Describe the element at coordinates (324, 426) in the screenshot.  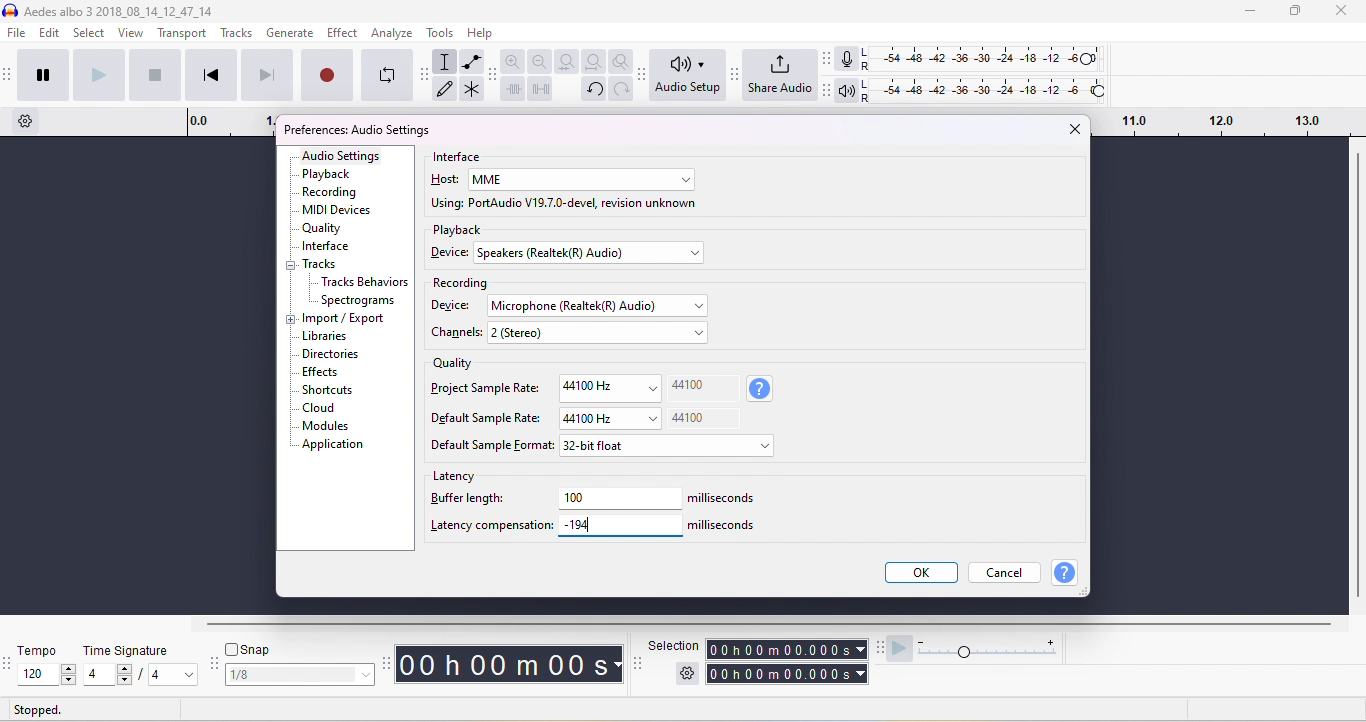
I see `modules` at that location.